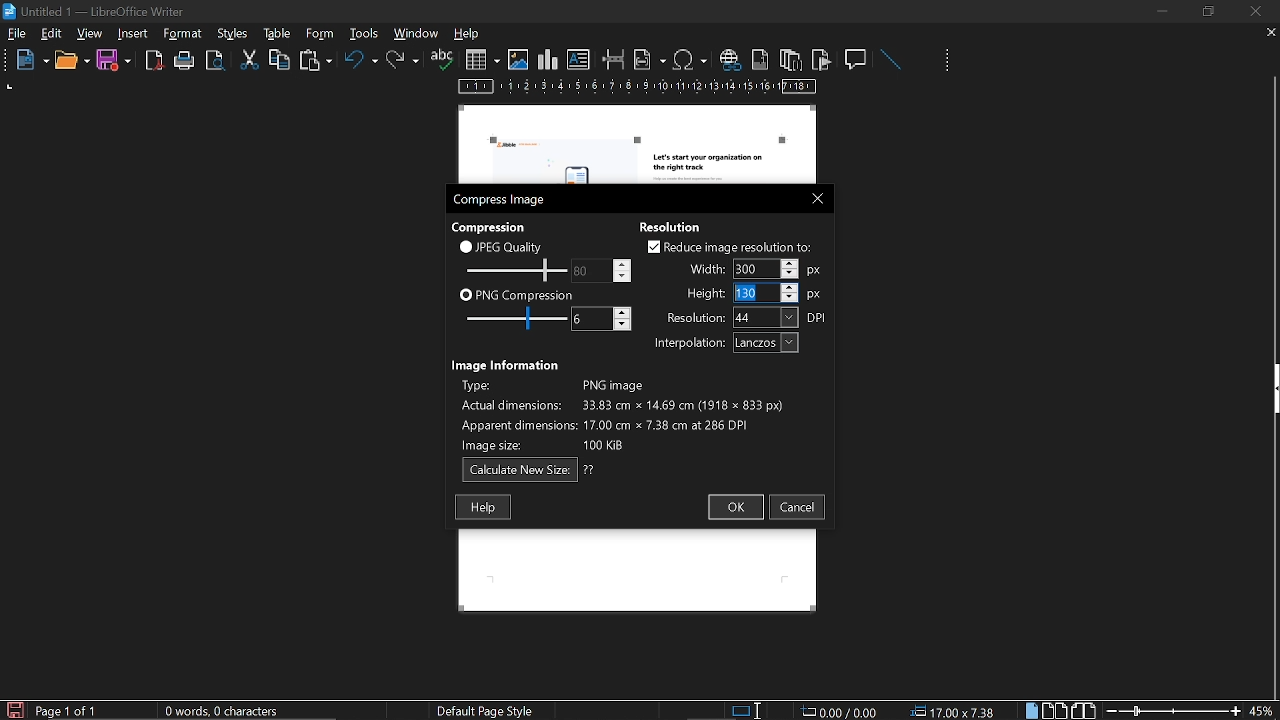 The height and width of the screenshot is (720, 1280). I want to click on current window, so click(97, 10).